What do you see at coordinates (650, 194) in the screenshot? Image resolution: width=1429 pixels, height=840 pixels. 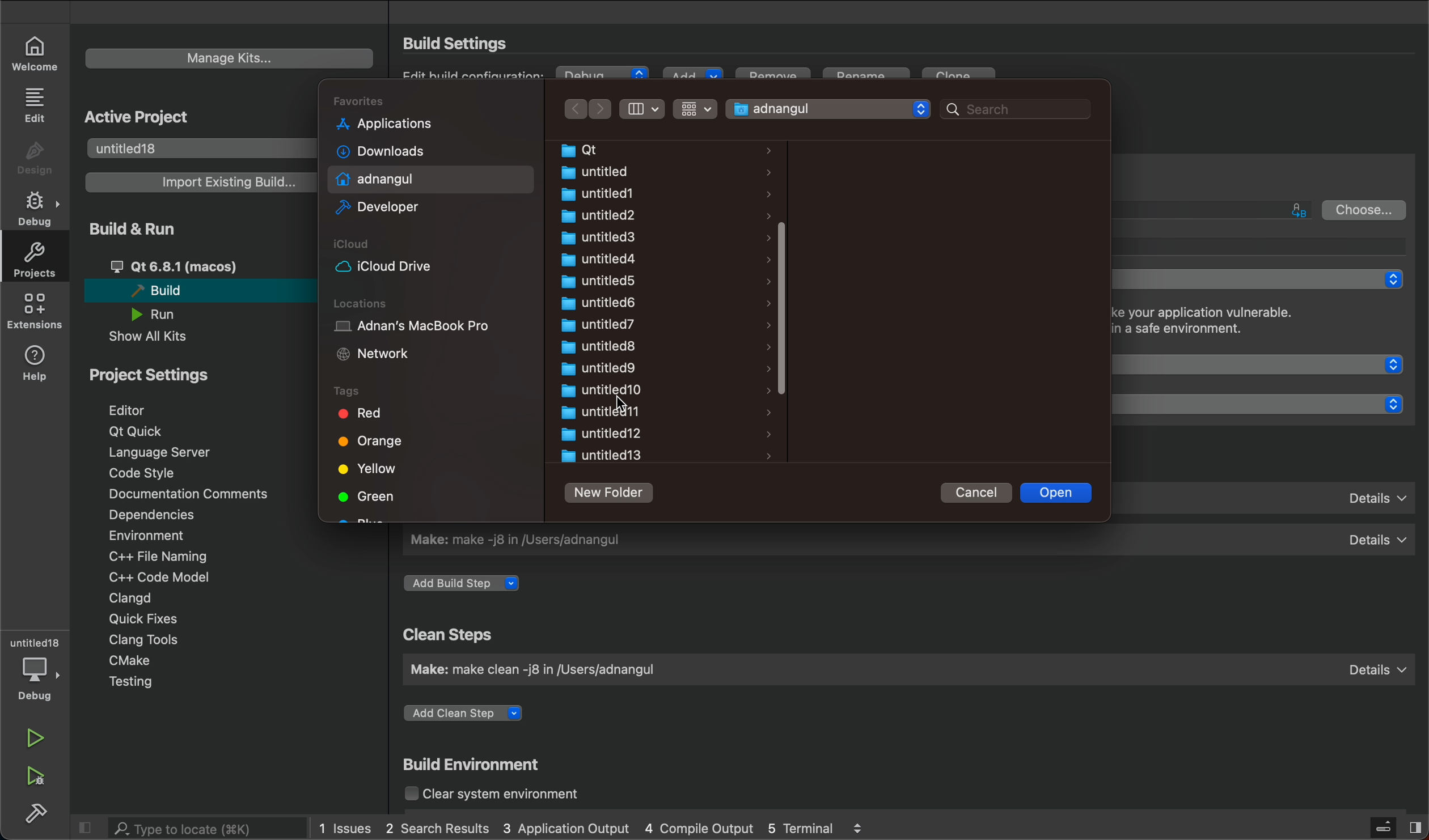 I see `untitled1` at bounding box center [650, 194].